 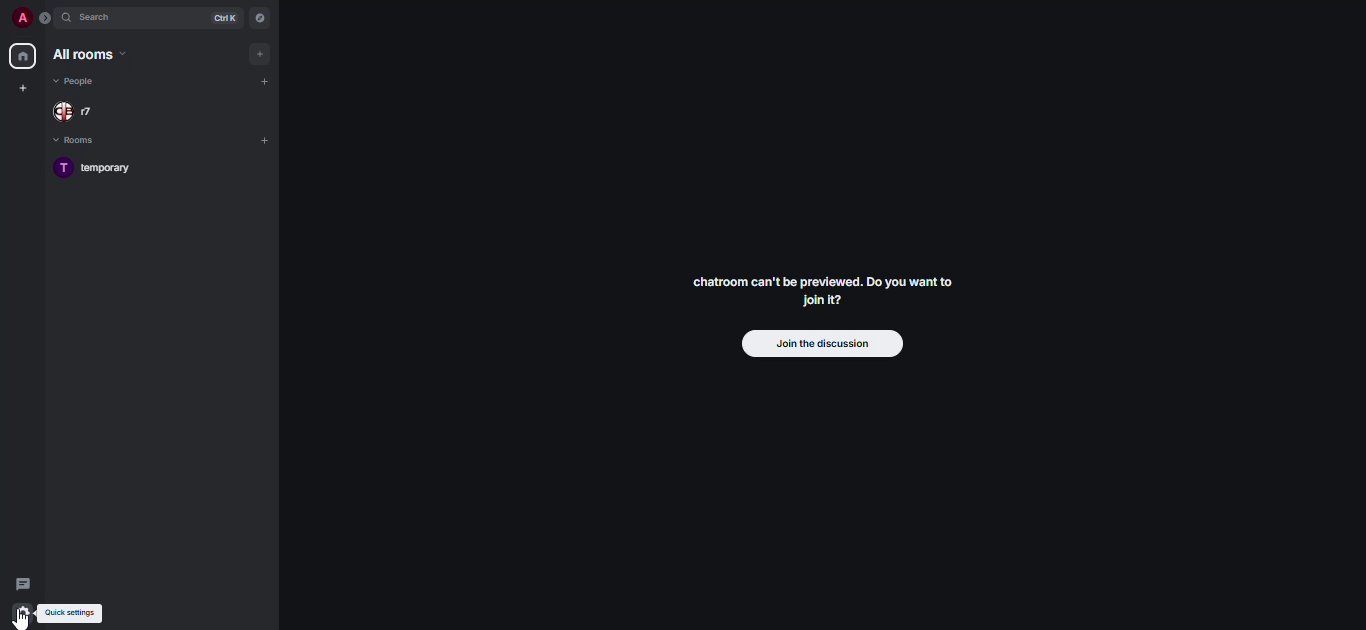 What do you see at coordinates (267, 82) in the screenshot?
I see `add` at bounding box center [267, 82].